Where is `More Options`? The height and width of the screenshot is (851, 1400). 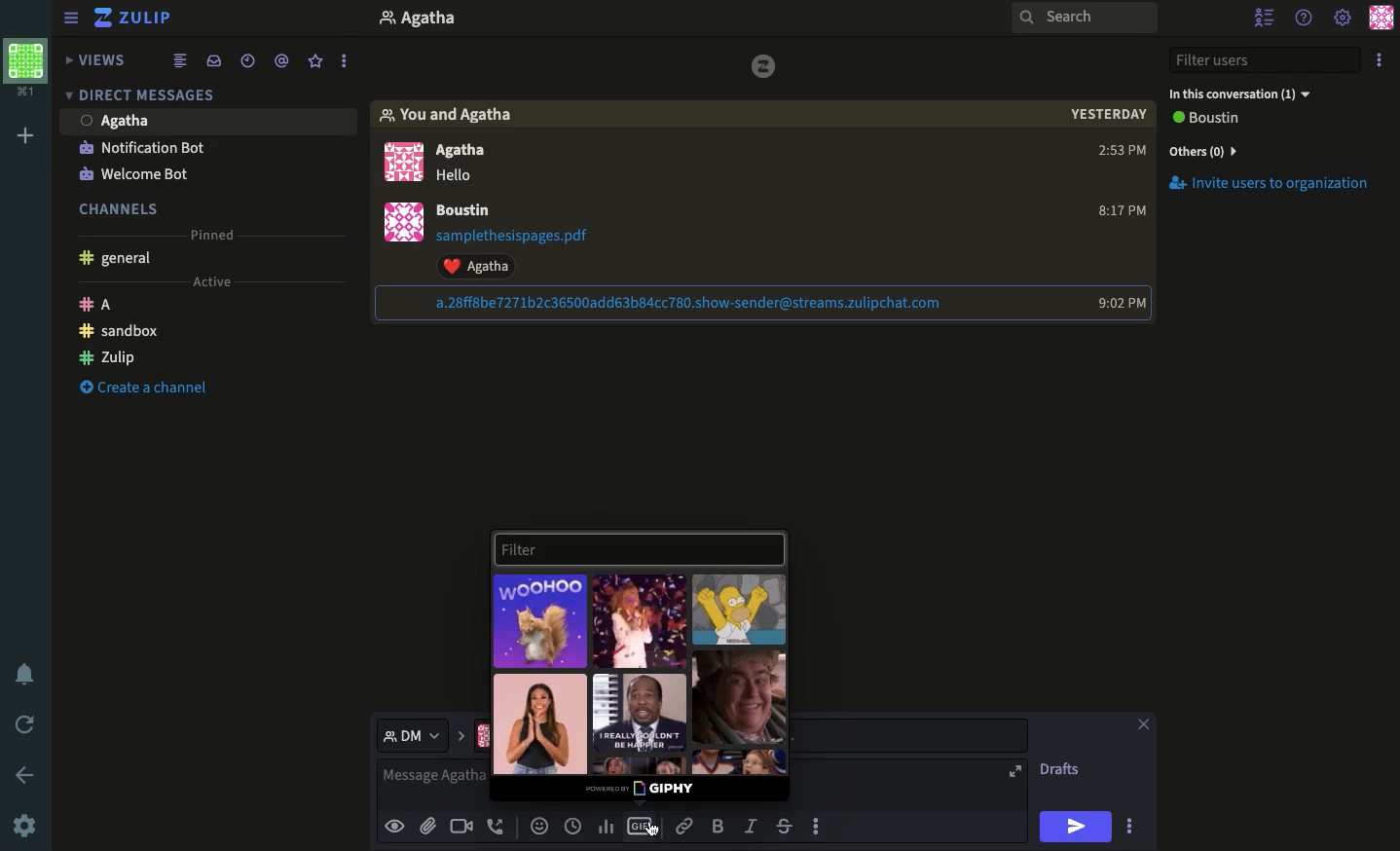
More Options is located at coordinates (827, 827).